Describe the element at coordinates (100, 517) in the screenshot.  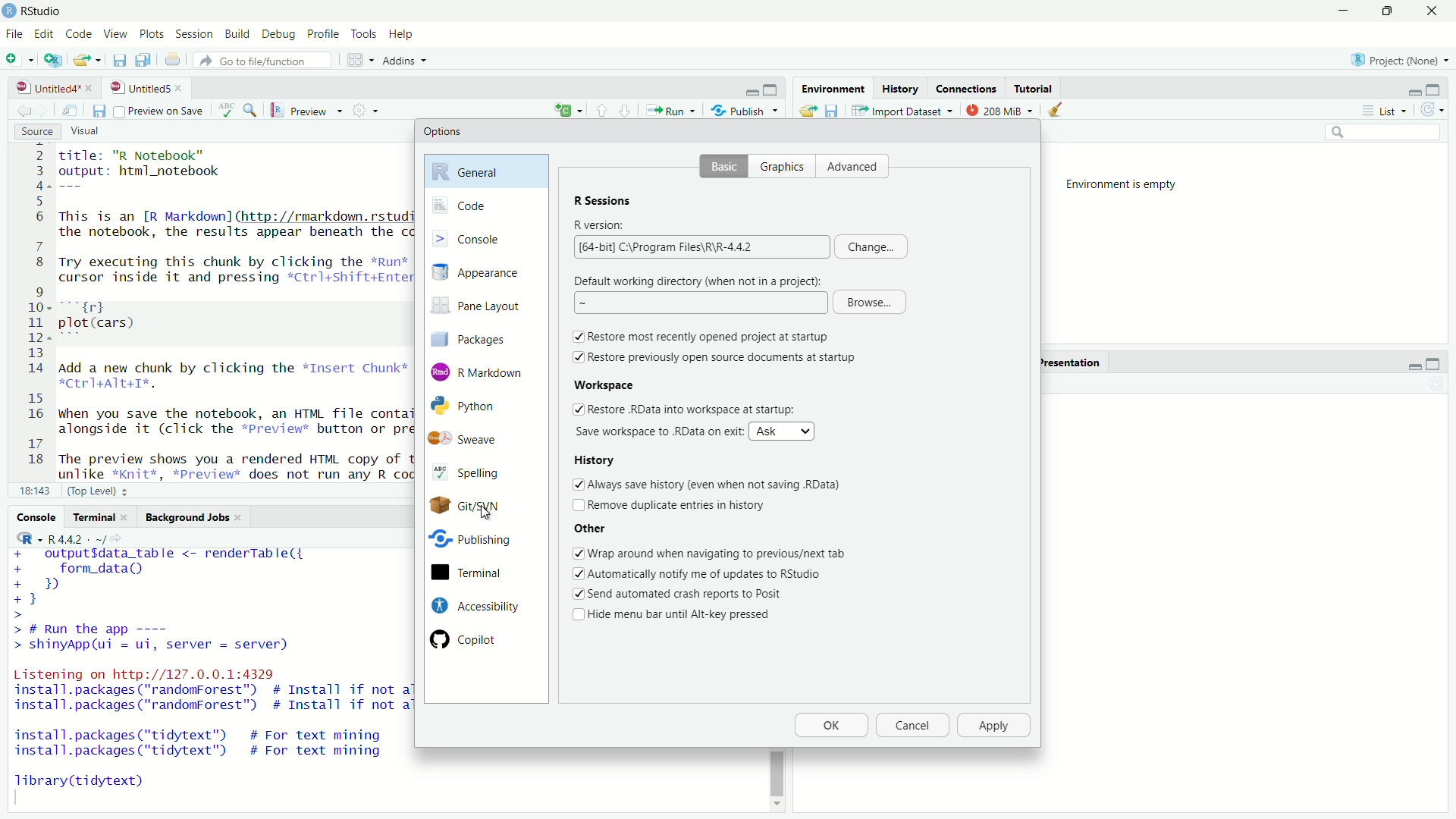
I see `Terminal` at that location.